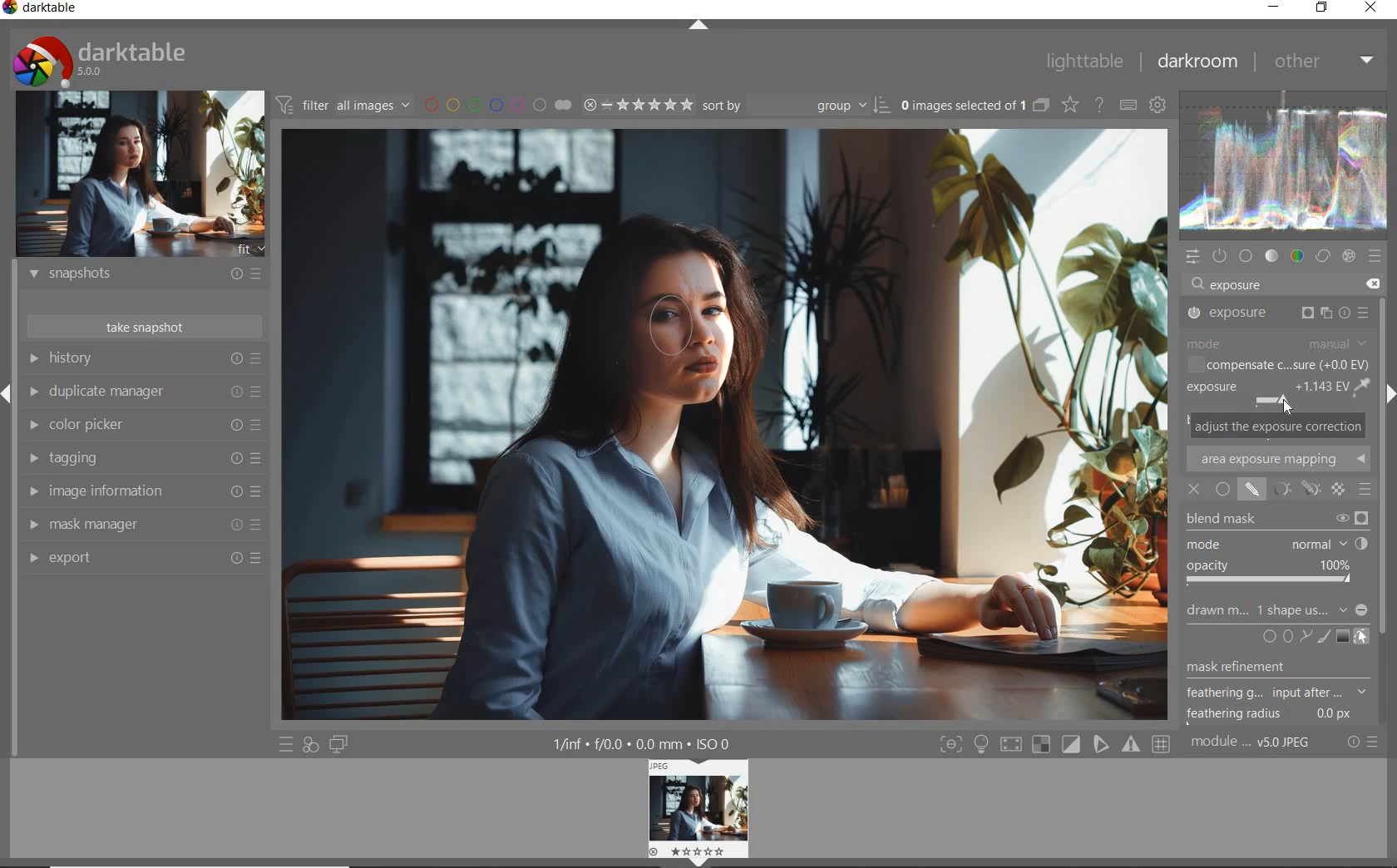 The image size is (1397, 868). What do you see at coordinates (1277, 457) in the screenshot?
I see `AREA EXPOSURE MAPPING` at bounding box center [1277, 457].